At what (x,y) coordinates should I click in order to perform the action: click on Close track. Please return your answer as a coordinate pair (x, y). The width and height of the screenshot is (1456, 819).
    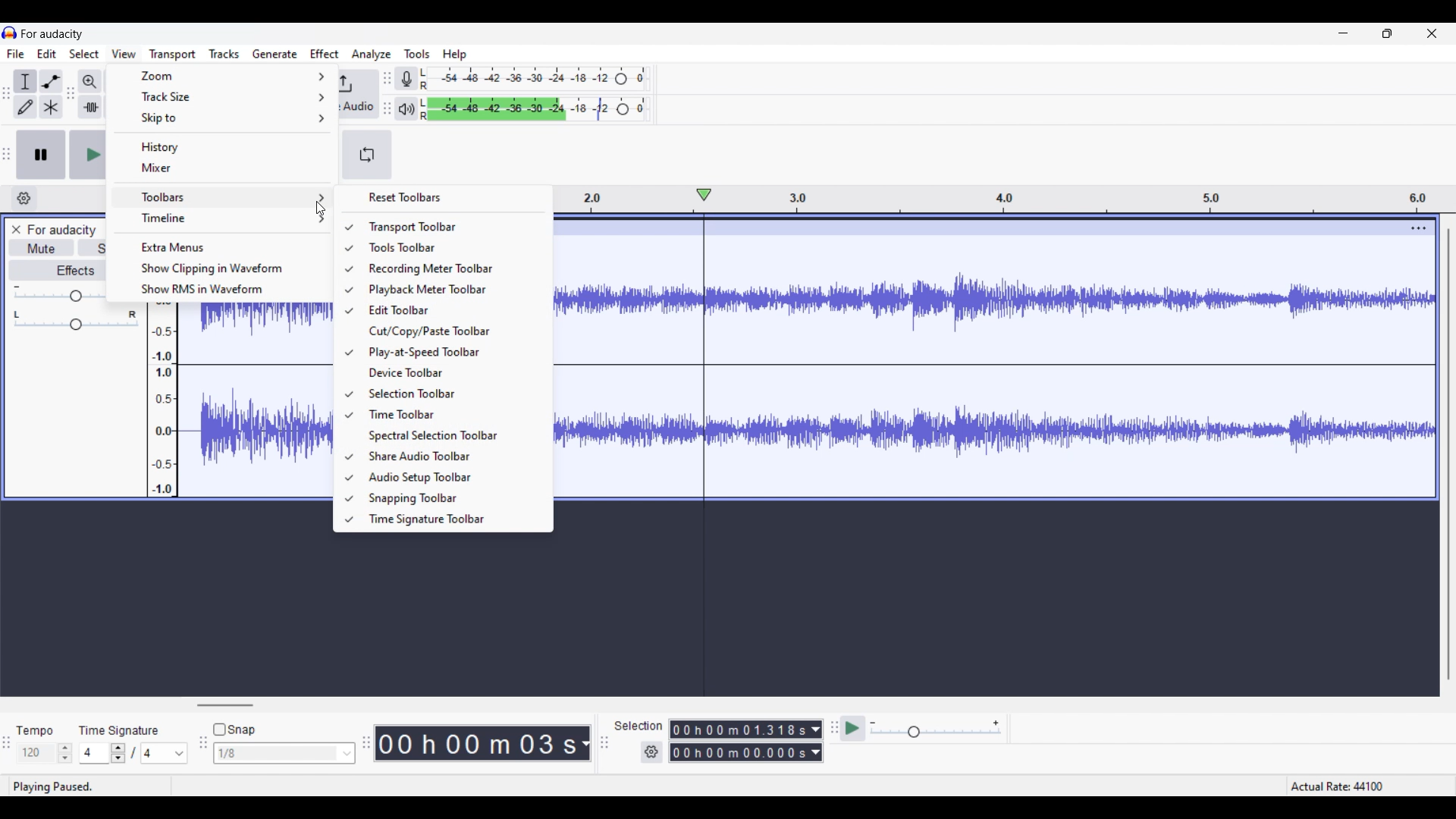
    Looking at the image, I should click on (16, 230).